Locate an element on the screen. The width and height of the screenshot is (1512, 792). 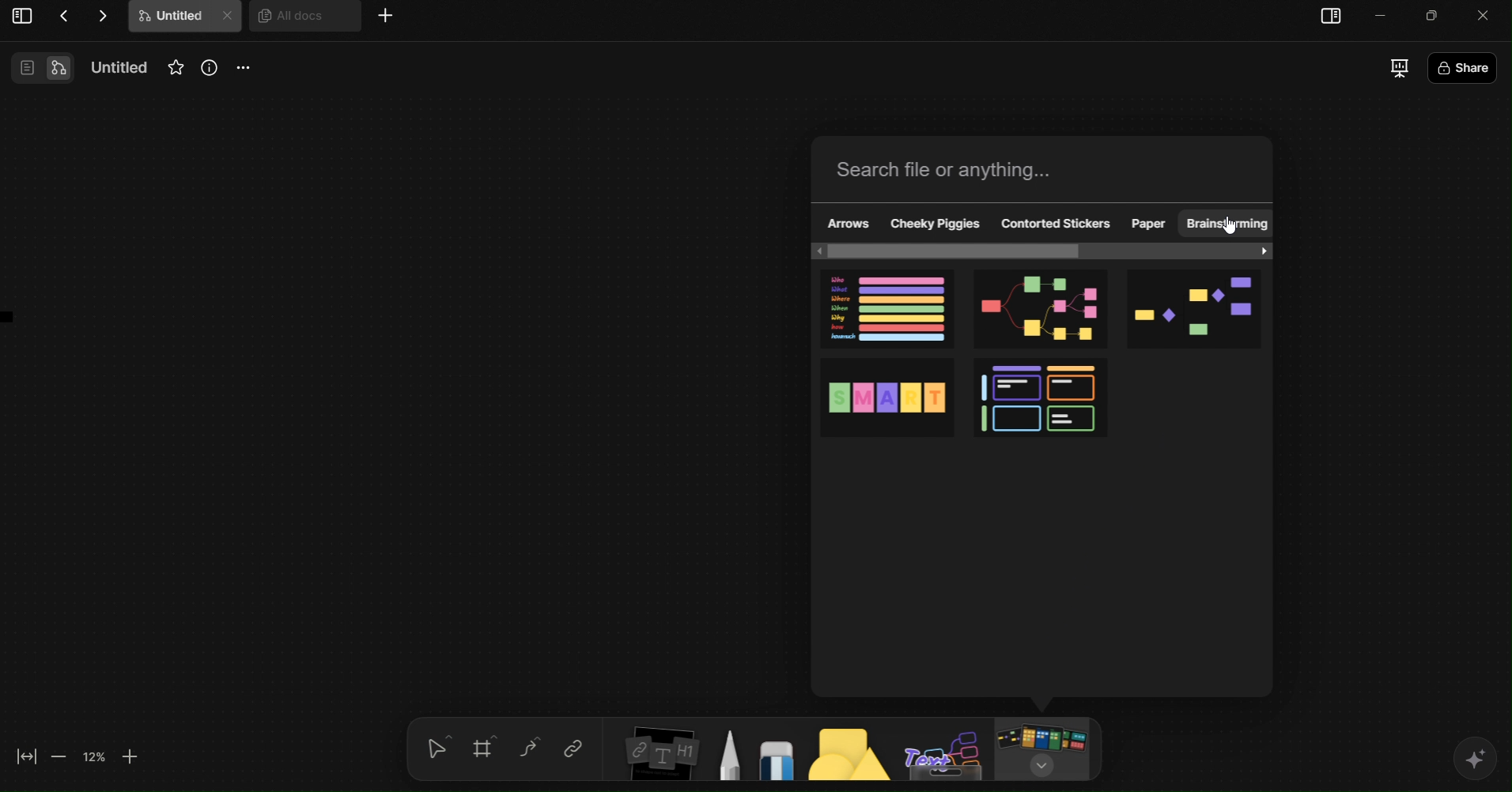
selection tool is located at coordinates (437, 748).